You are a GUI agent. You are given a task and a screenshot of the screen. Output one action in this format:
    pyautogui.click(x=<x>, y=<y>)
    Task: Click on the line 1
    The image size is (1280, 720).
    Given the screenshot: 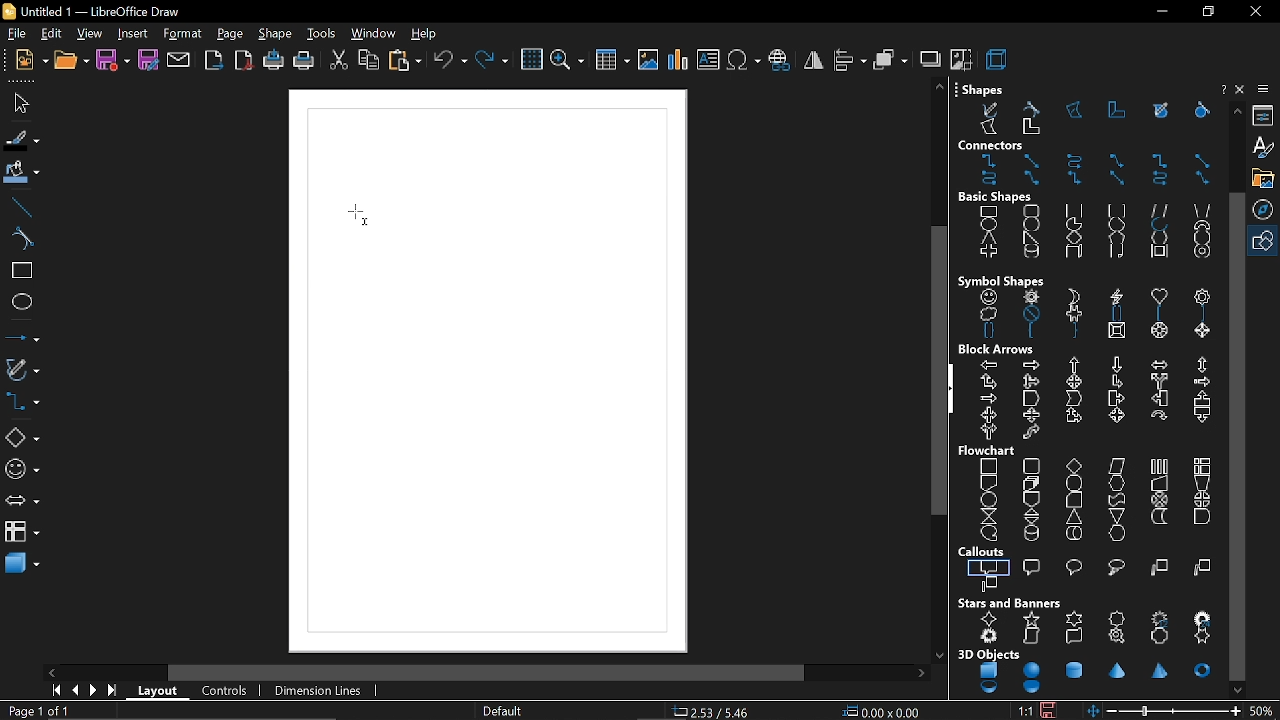 What is the action you would take?
    pyautogui.click(x=1158, y=568)
    